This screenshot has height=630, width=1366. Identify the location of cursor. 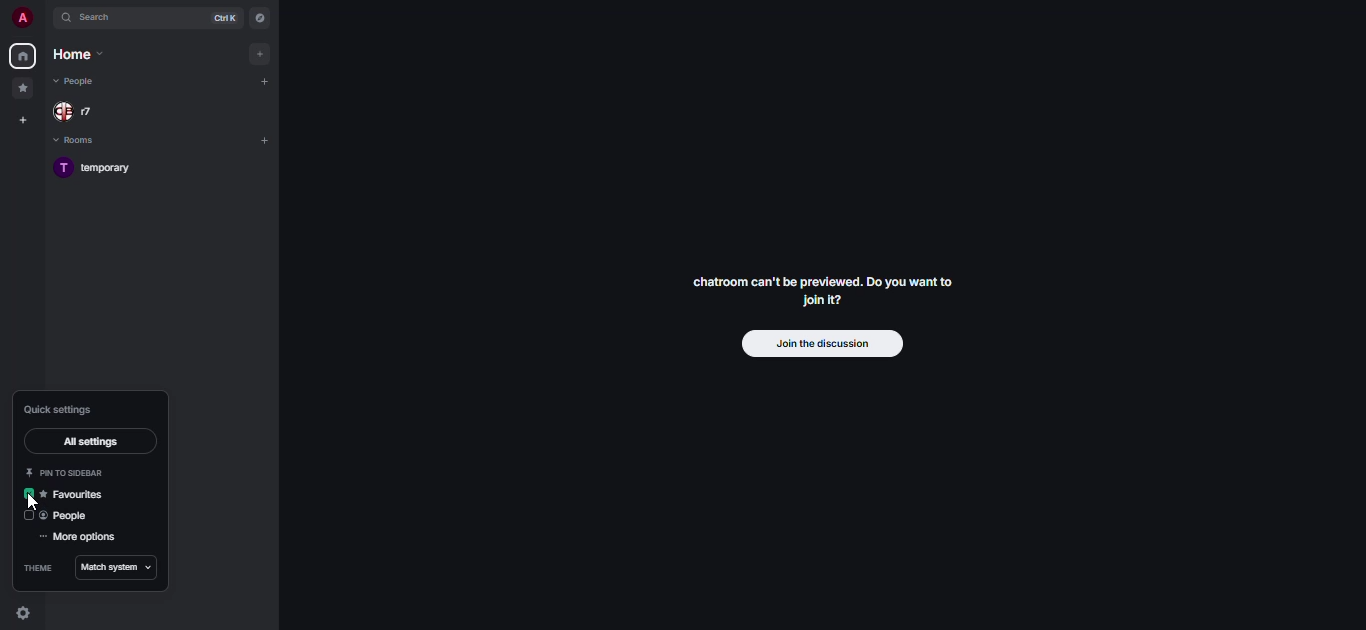
(35, 504).